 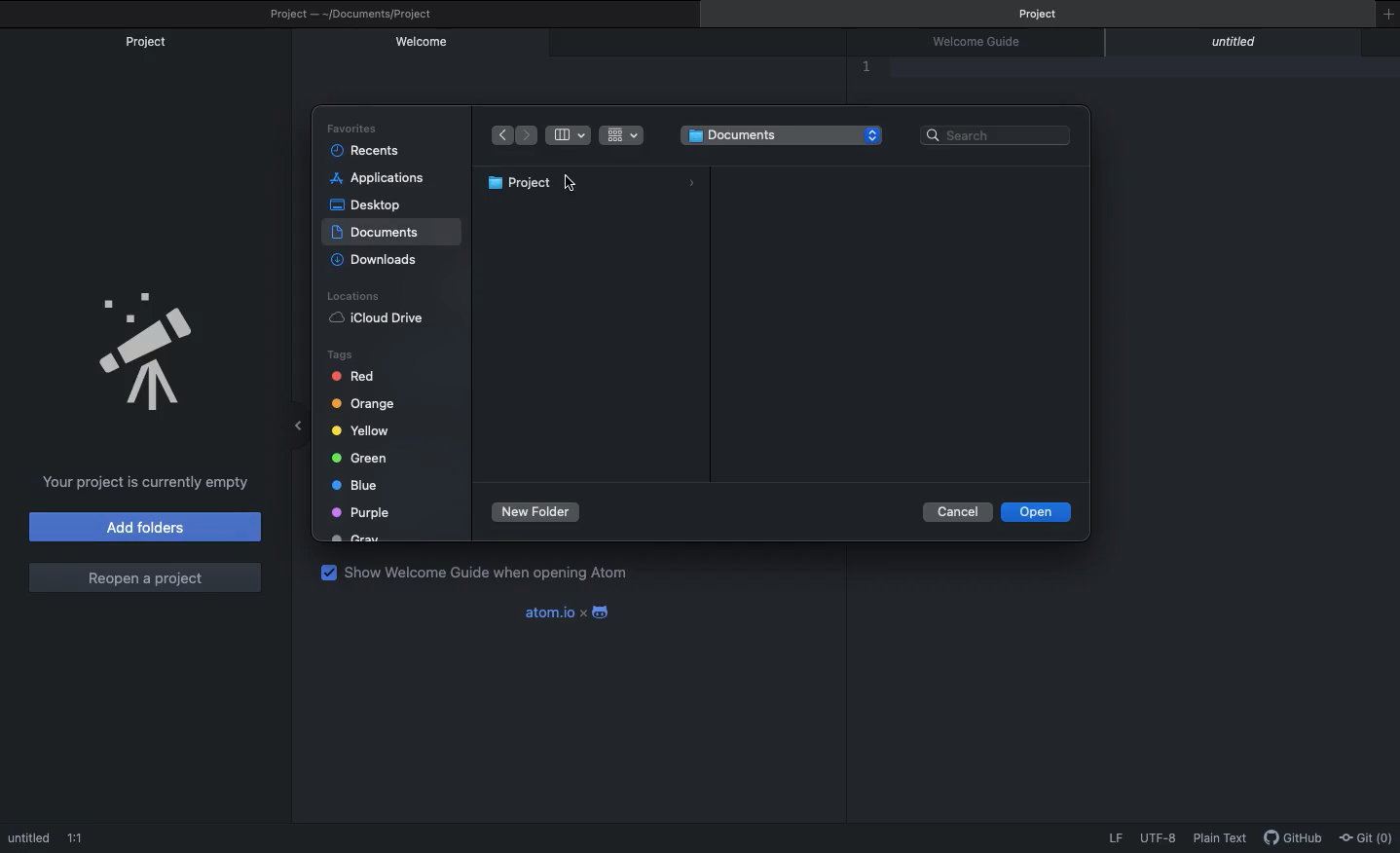 I want to click on Project, so click(x=353, y=15).